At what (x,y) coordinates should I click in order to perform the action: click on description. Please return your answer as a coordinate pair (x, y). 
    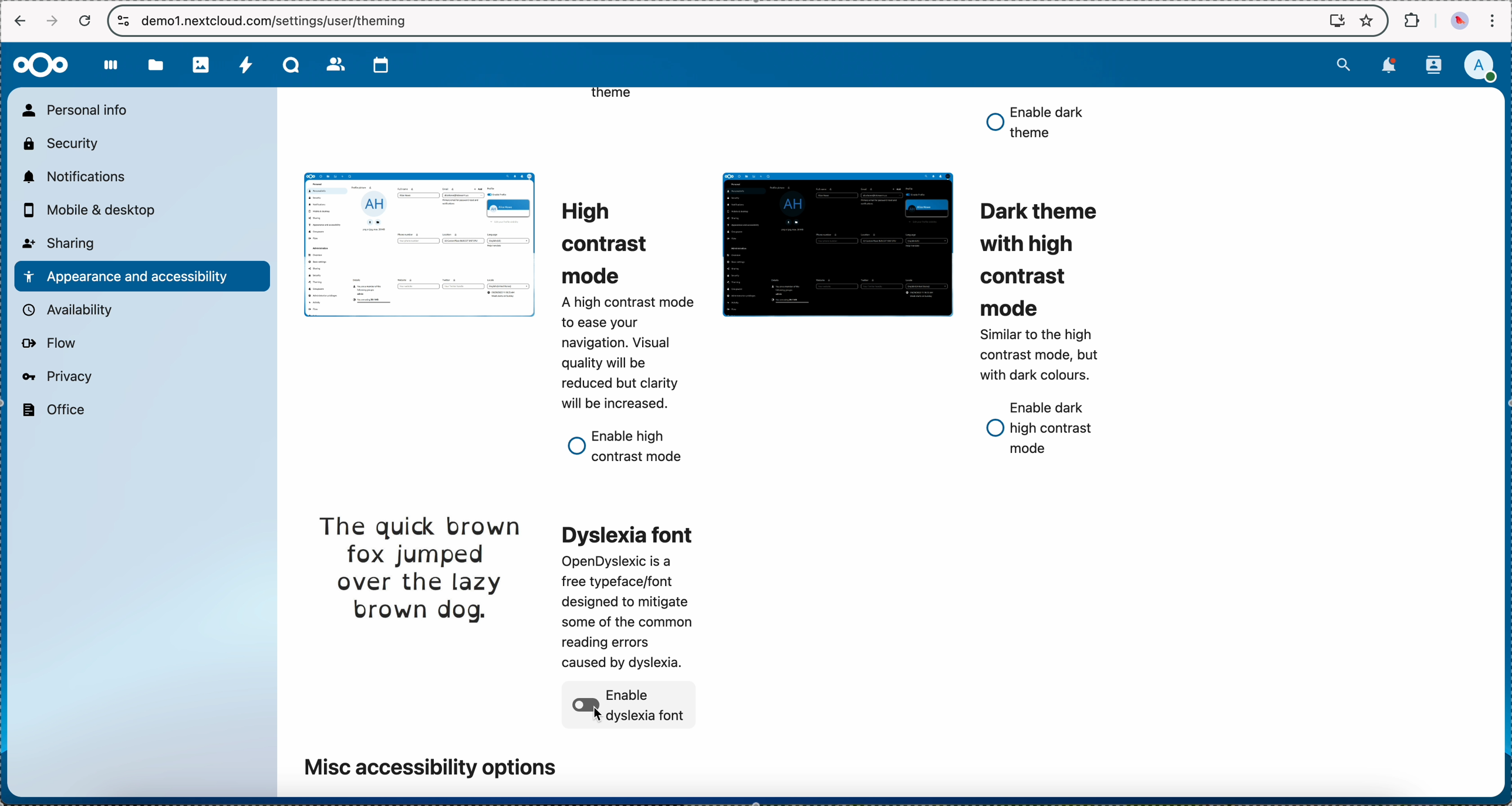
    Looking at the image, I should click on (1042, 353).